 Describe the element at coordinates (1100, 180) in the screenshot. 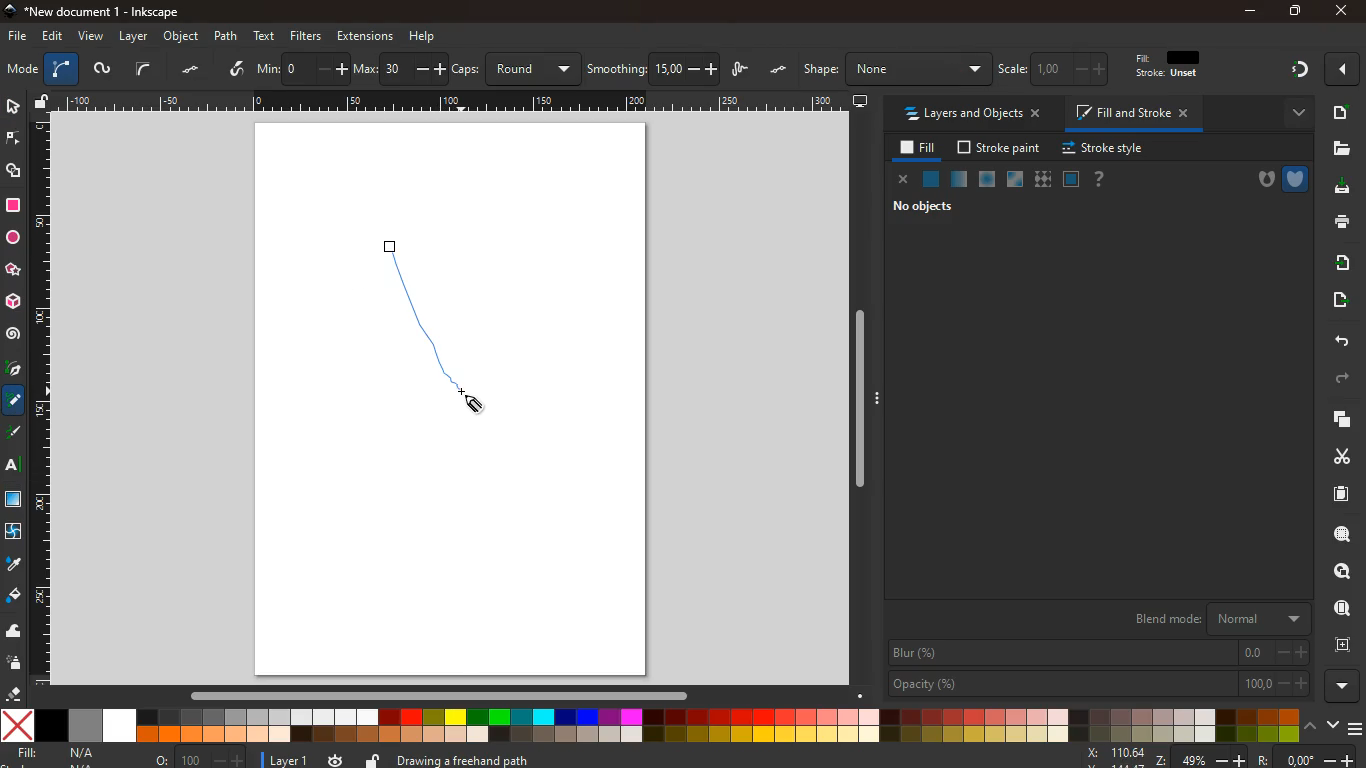

I see `help` at that location.